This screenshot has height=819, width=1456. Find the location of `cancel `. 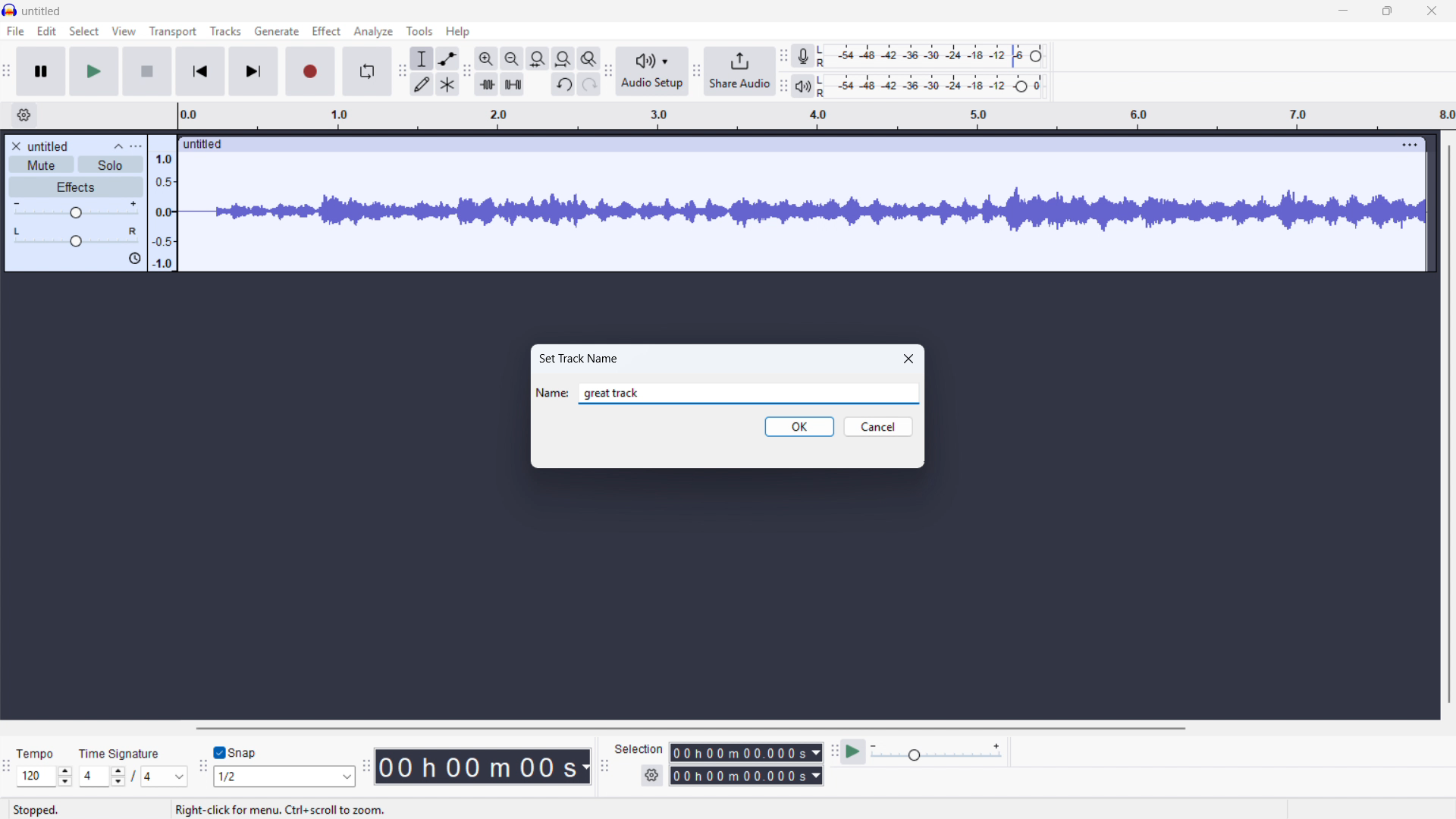

cancel  is located at coordinates (878, 427).